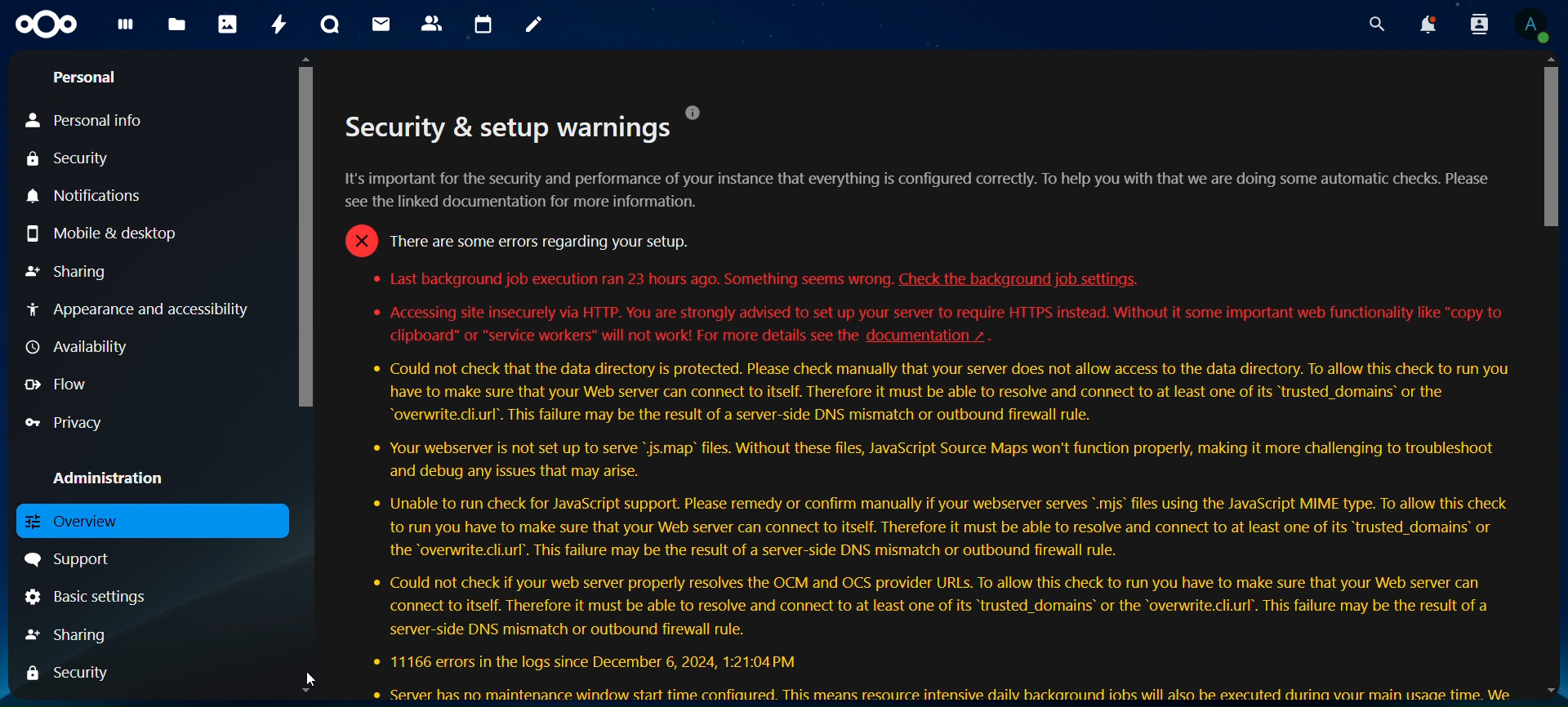 The image size is (1568, 707). Describe the element at coordinates (136, 313) in the screenshot. I see `appearance and accessibility` at that location.